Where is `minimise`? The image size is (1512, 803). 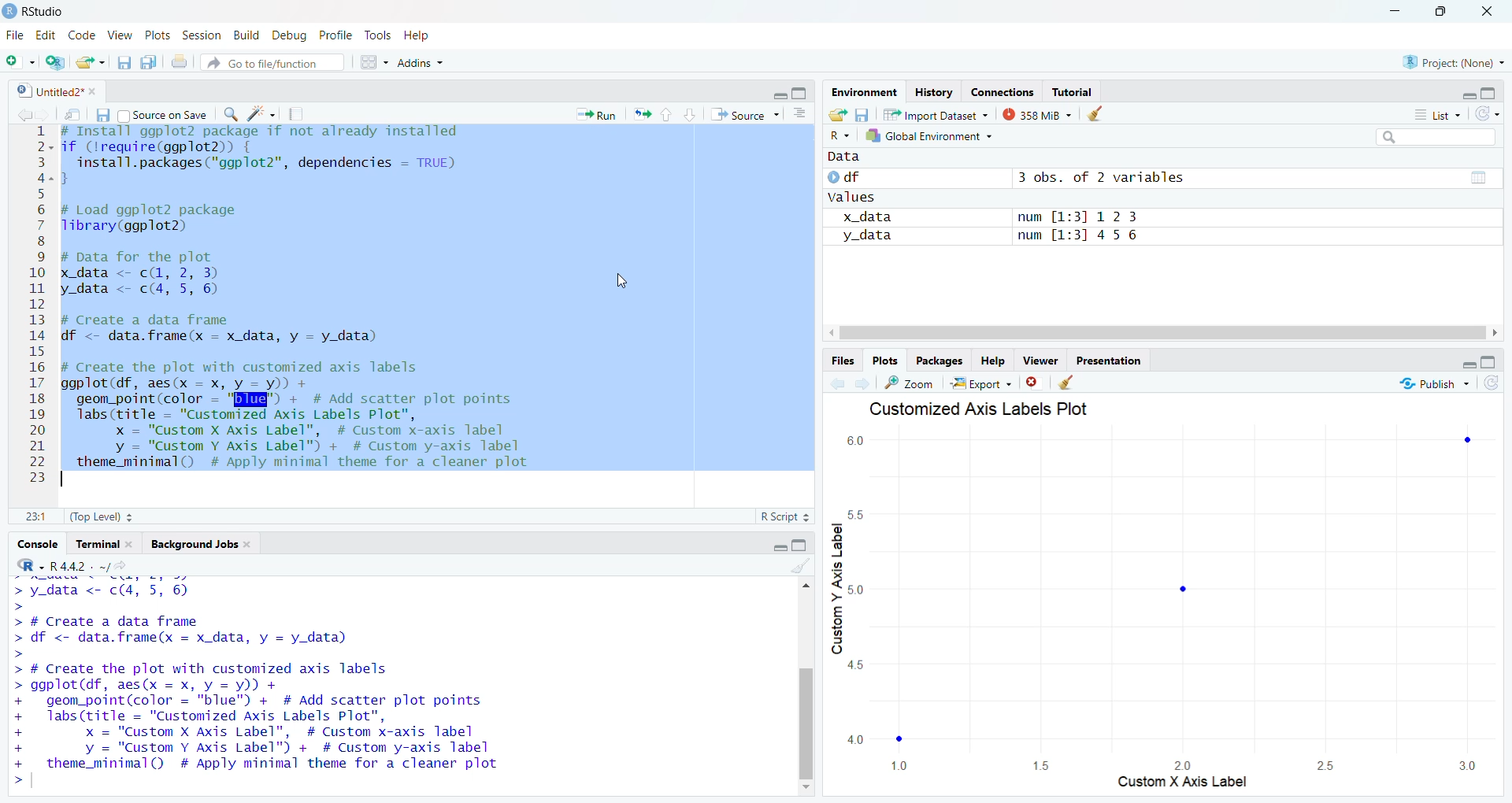 minimise is located at coordinates (1392, 9).